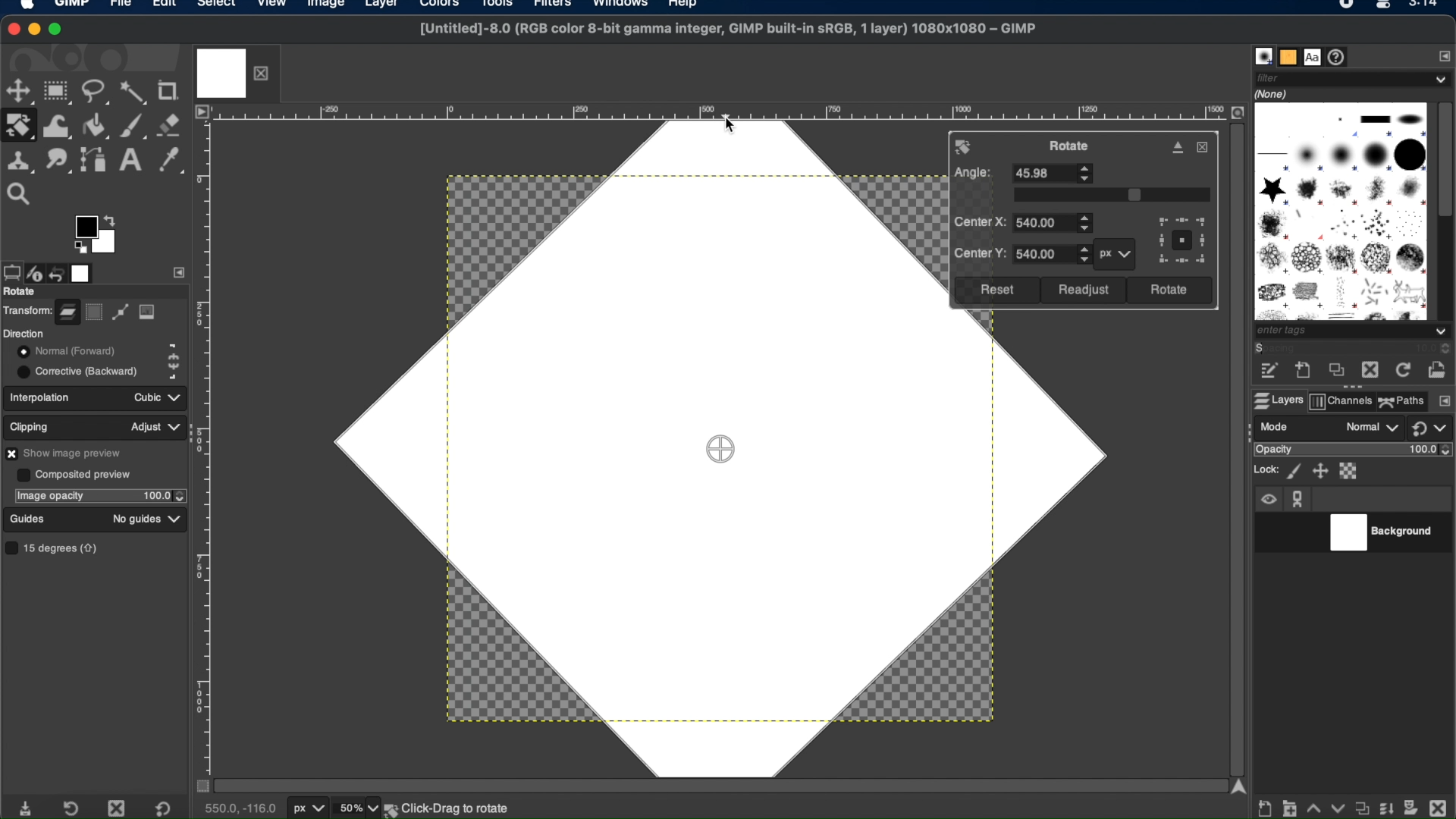 This screenshot has width=1456, height=819. Describe the element at coordinates (1263, 56) in the screenshot. I see `brushes` at that location.